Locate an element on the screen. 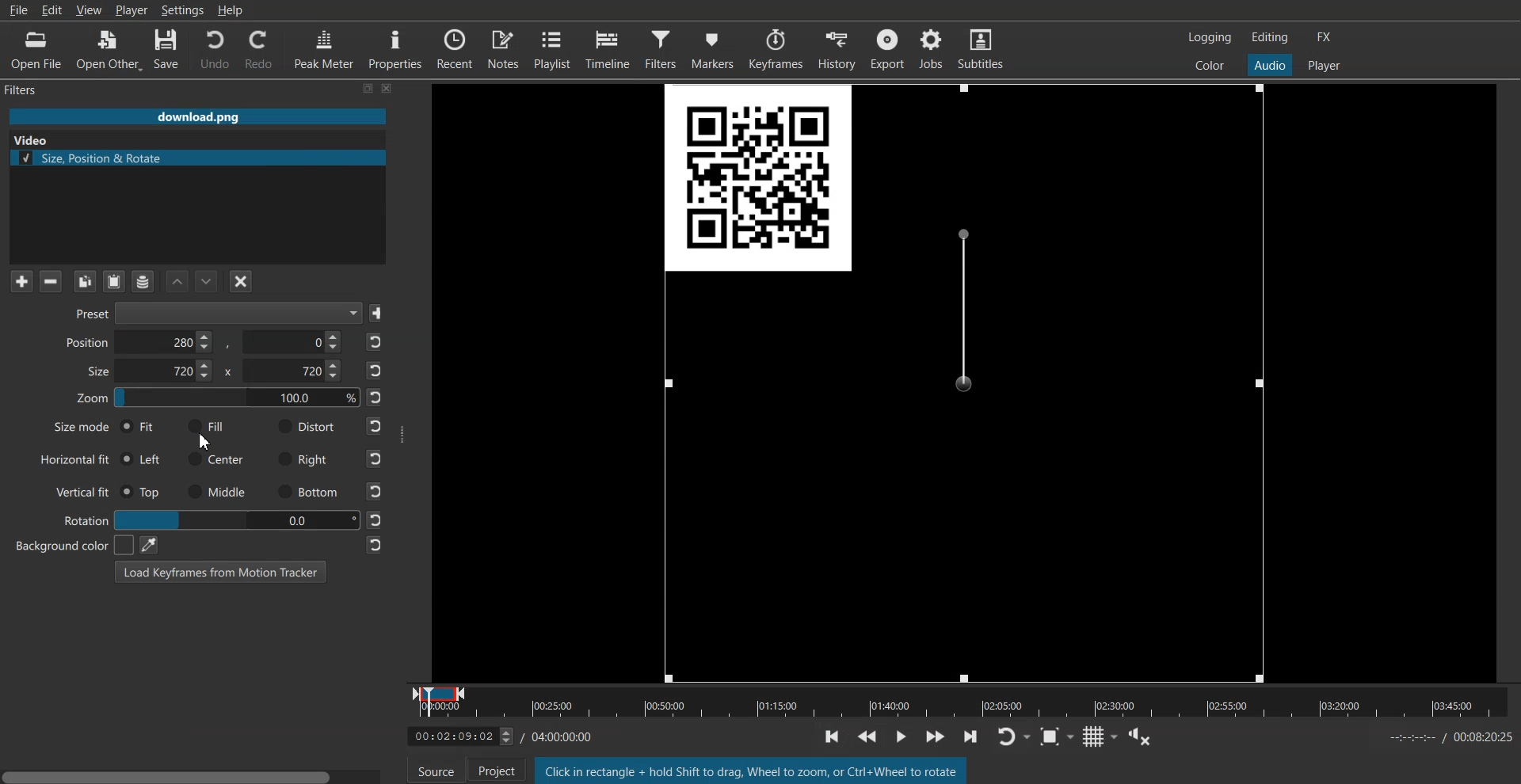  Current Window Position is located at coordinates (439, 690).